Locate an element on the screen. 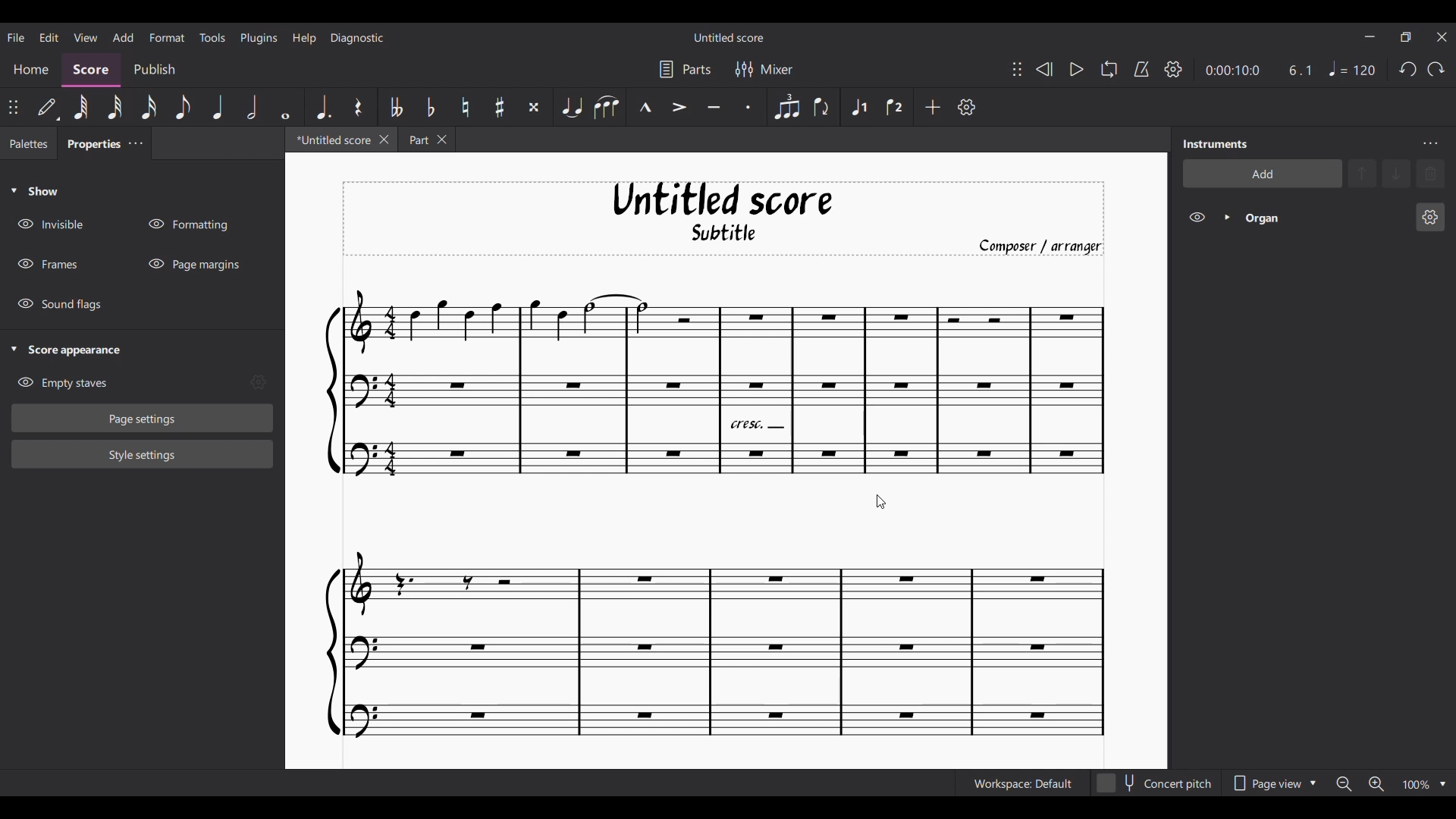  Hide Empty staves is located at coordinates (62, 383).